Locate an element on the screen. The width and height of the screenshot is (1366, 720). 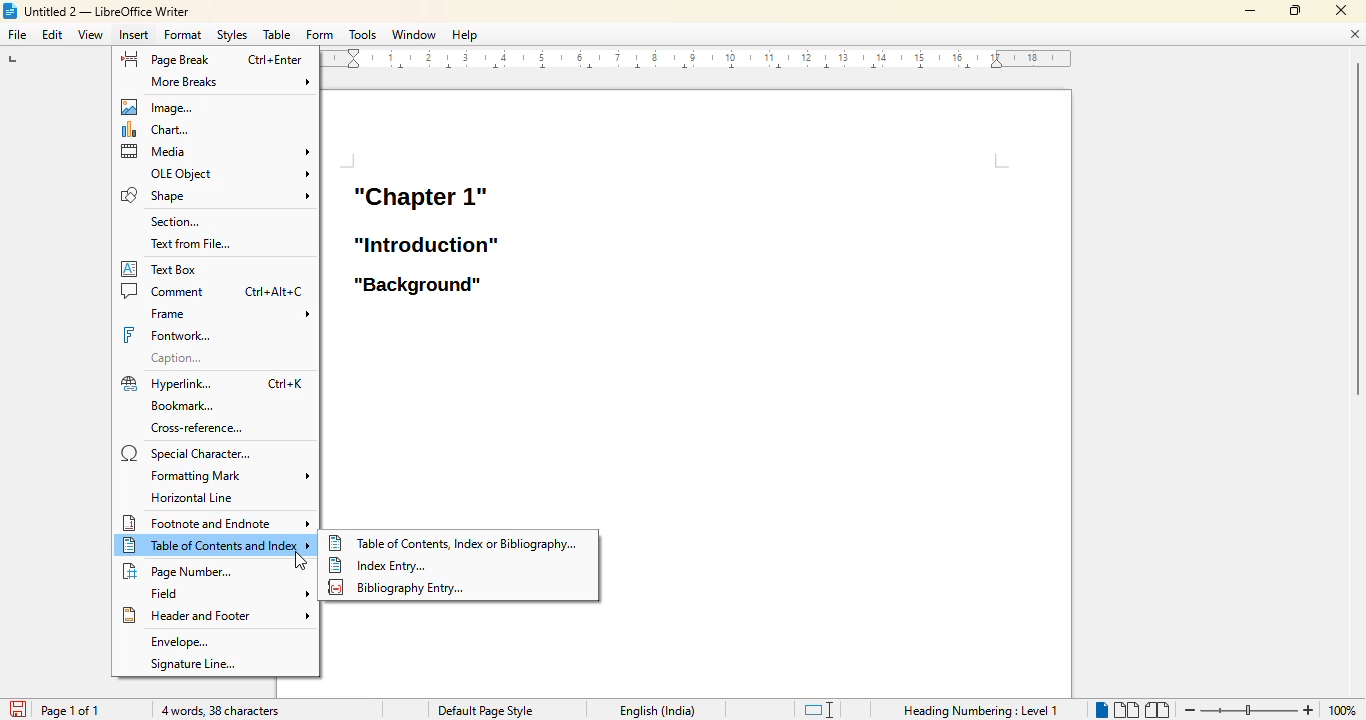
field is located at coordinates (226, 593).